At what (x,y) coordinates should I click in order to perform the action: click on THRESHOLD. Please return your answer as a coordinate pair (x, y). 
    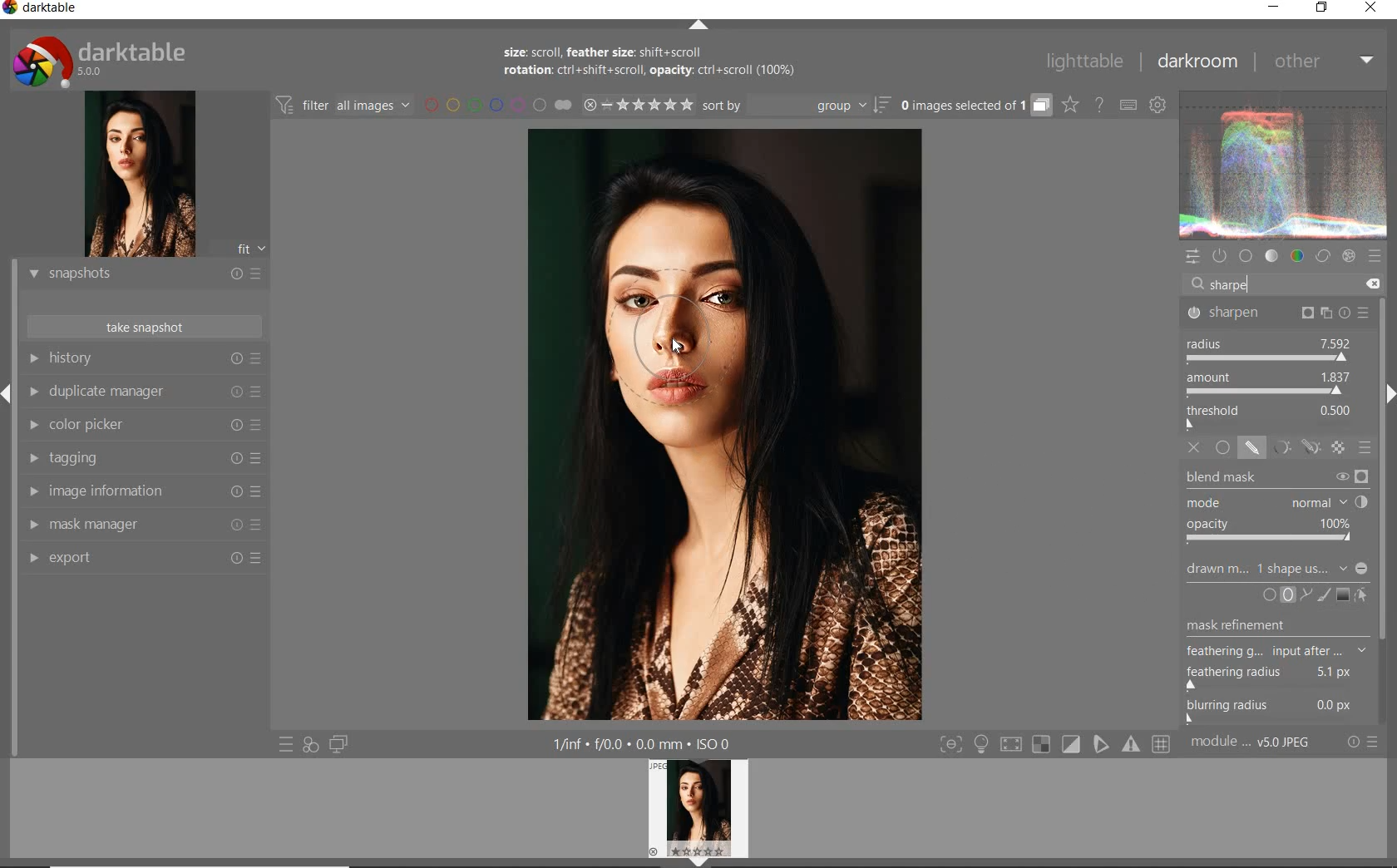
    Looking at the image, I should click on (1271, 416).